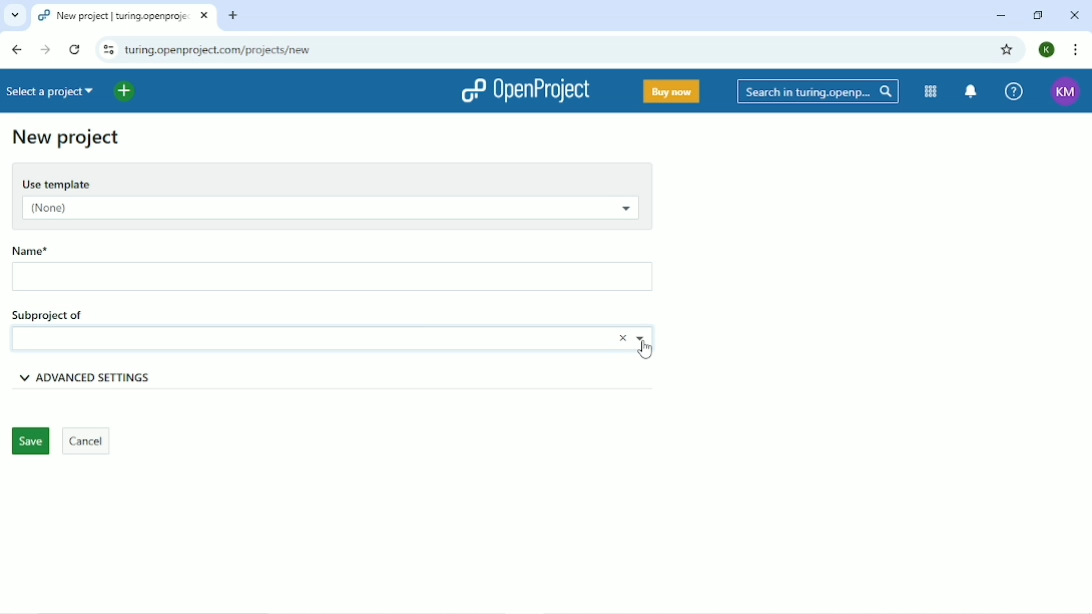 This screenshot has height=614, width=1092. Describe the element at coordinates (106, 49) in the screenshot. I see `View site information` at that location.